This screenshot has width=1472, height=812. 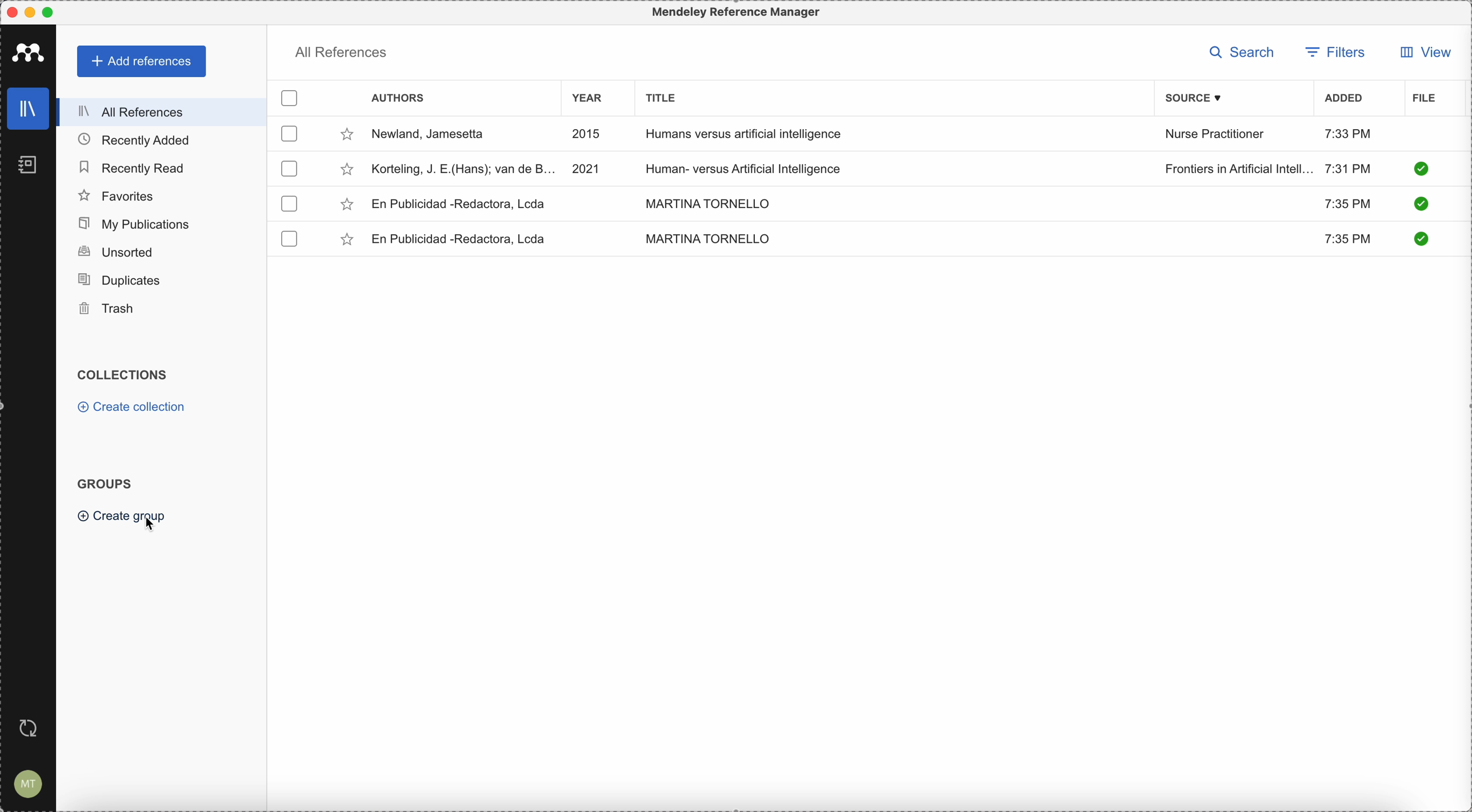 I want to click on Frontiers in Artificial Intelligence, so click(x=1238, y=169).